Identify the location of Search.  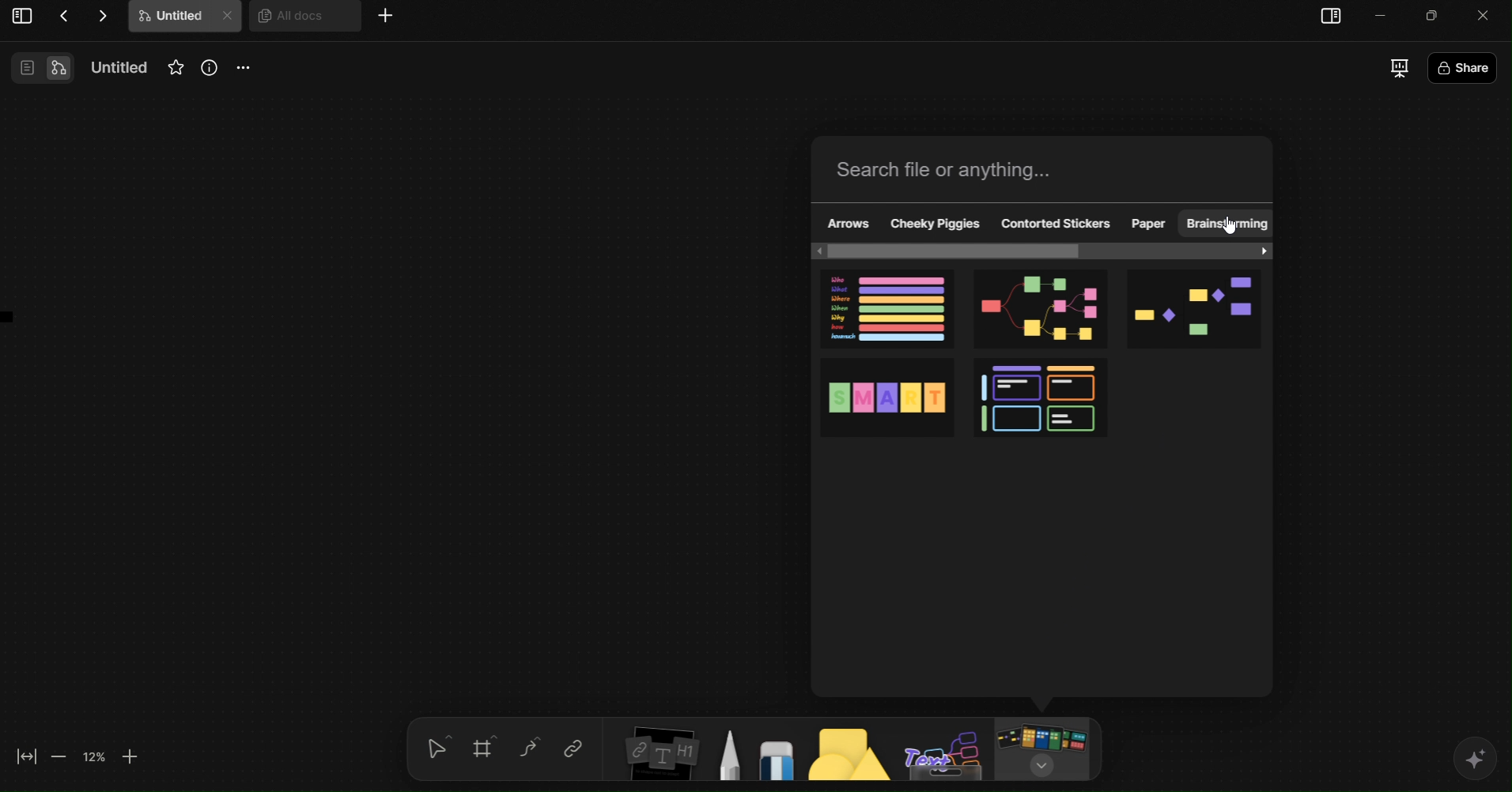
(1041, 166).